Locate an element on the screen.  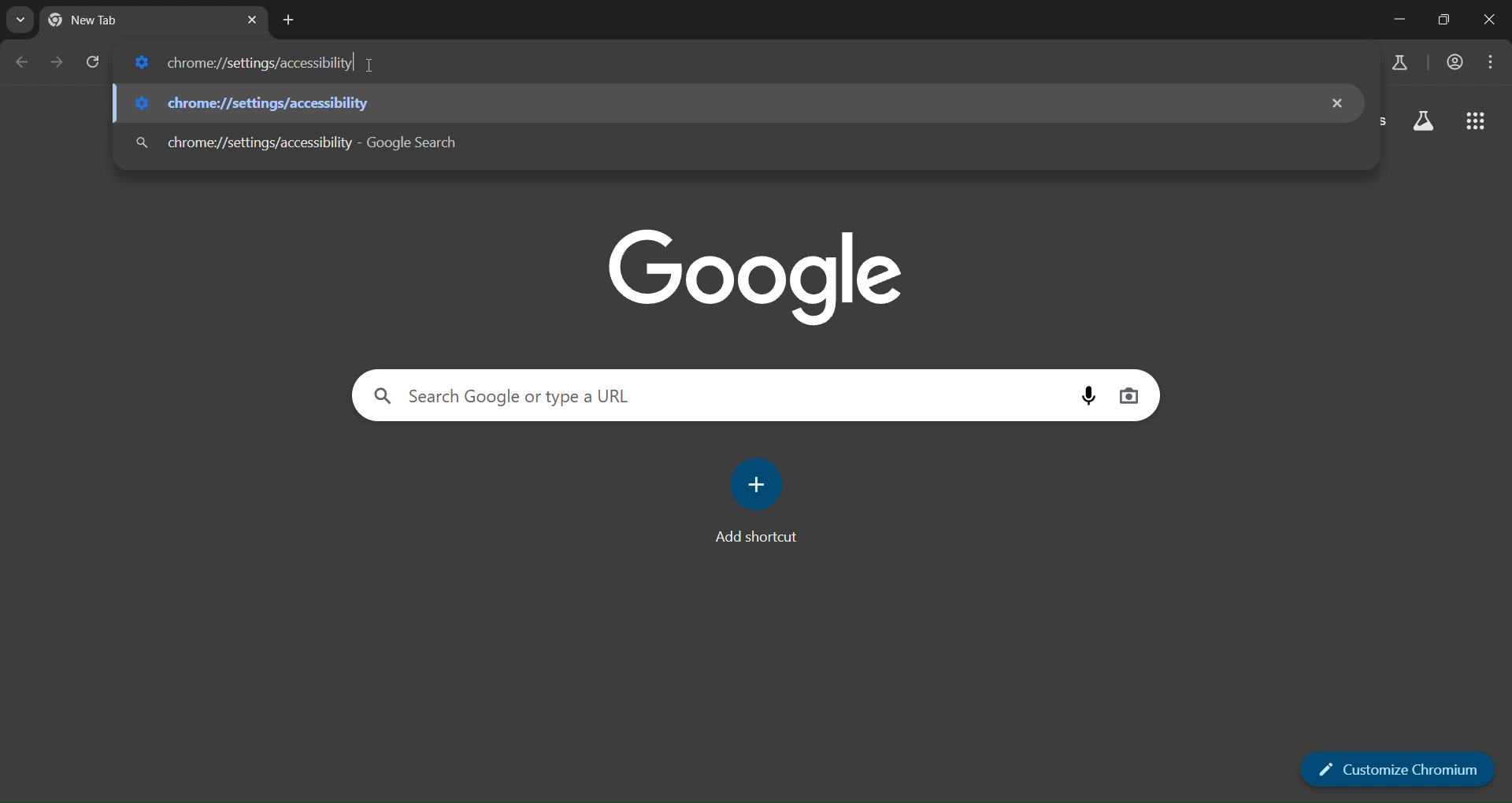
minimize is located at coordinates (1398, 21).